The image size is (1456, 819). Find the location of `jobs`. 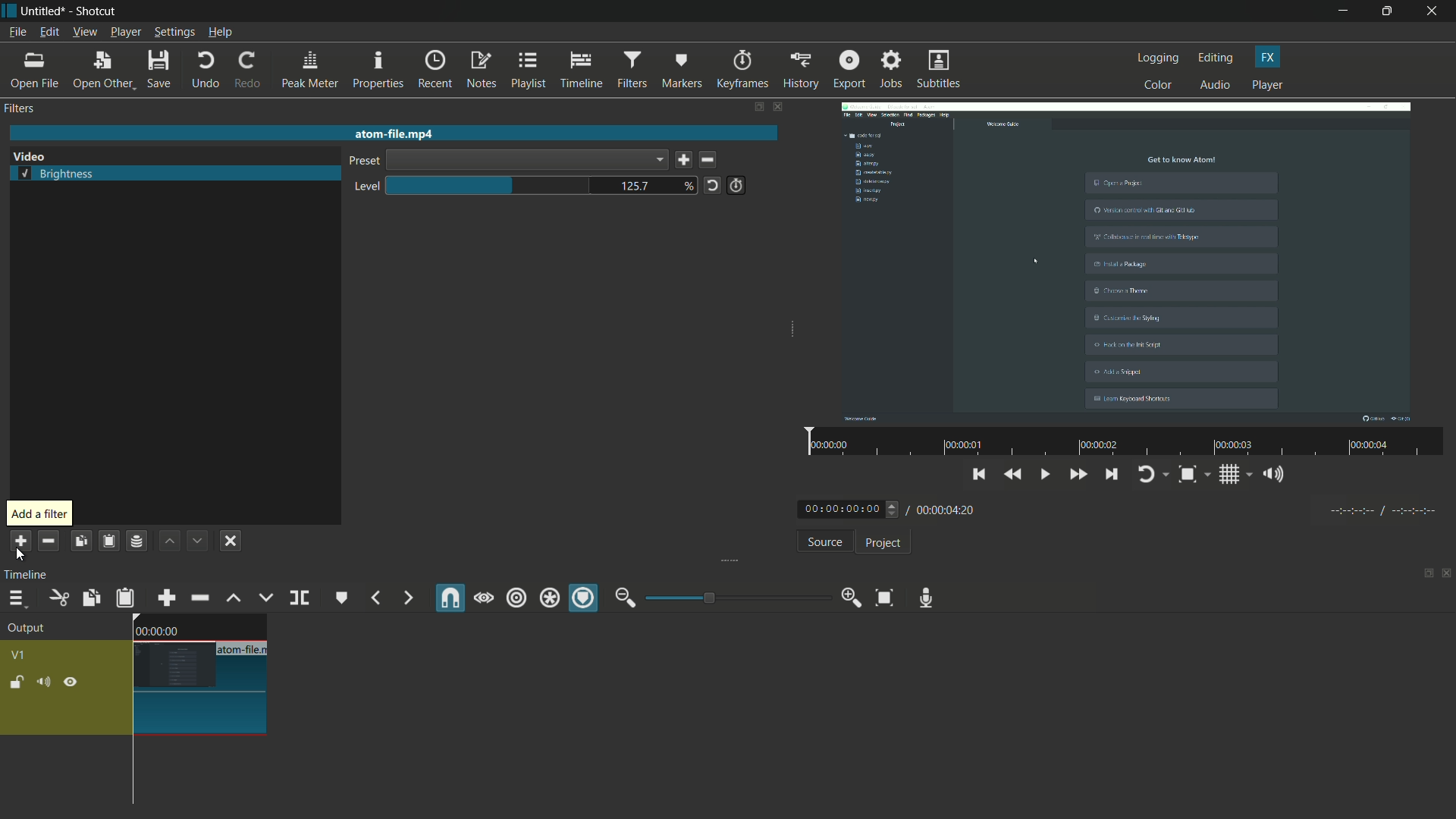

jobs is located at coordinates (891, 70).